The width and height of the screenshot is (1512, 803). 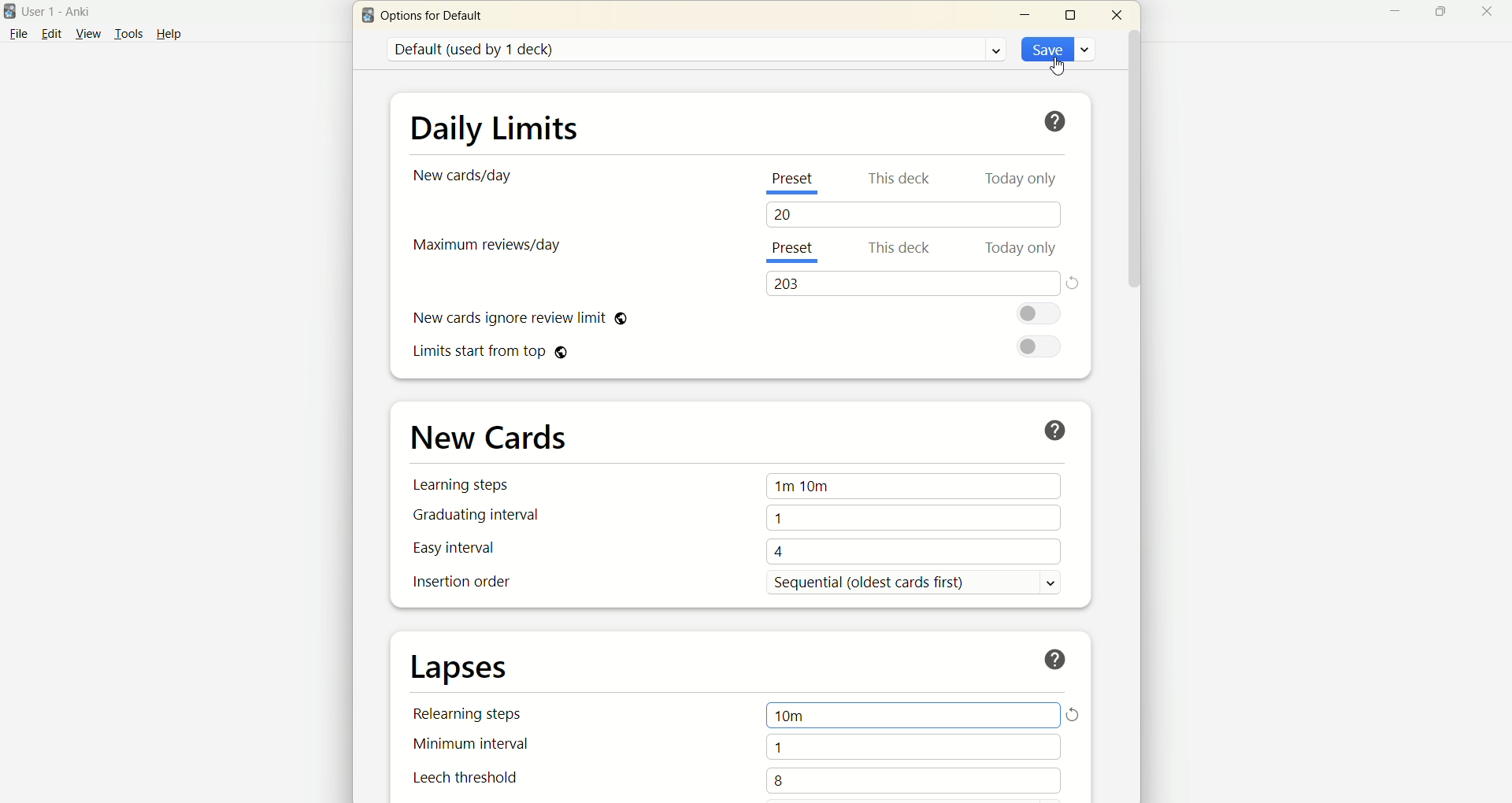 I want to click on maximum reviews/day, so click(x=490, y=248).